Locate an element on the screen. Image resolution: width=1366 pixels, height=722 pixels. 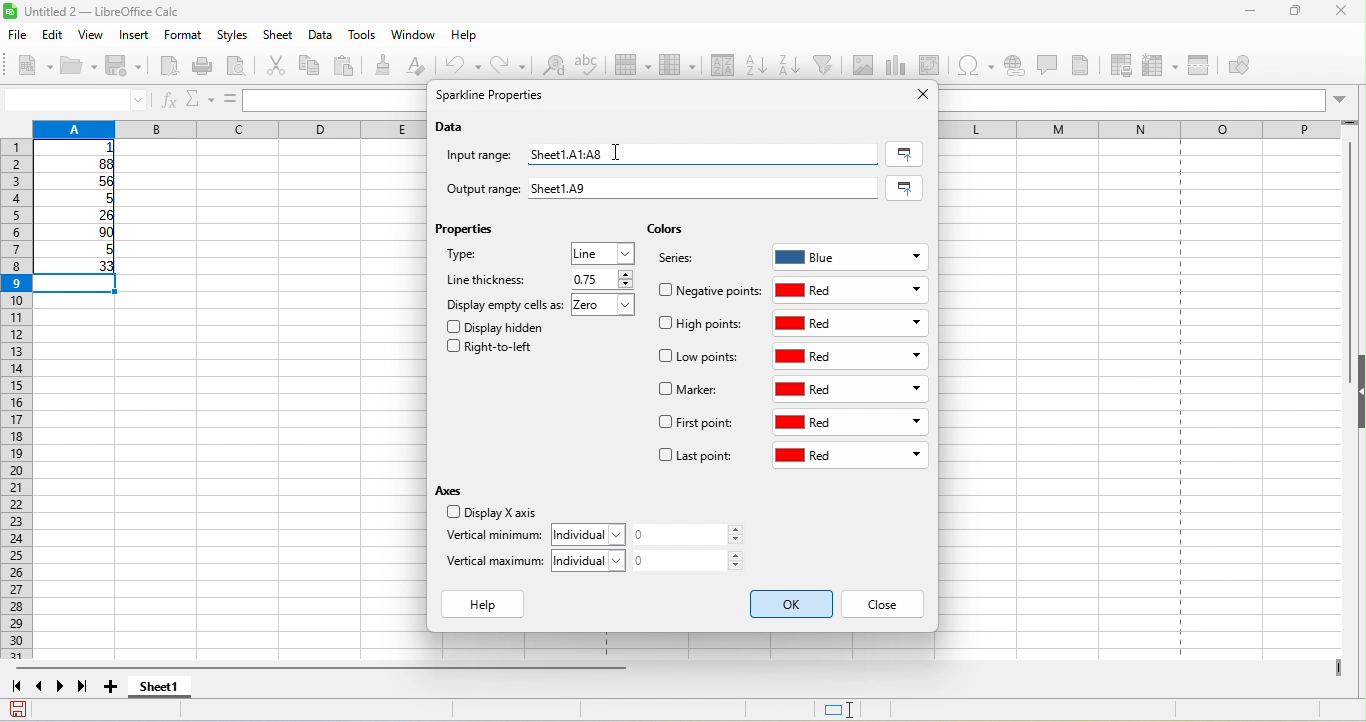
edit is located at coordinates (55, 34).